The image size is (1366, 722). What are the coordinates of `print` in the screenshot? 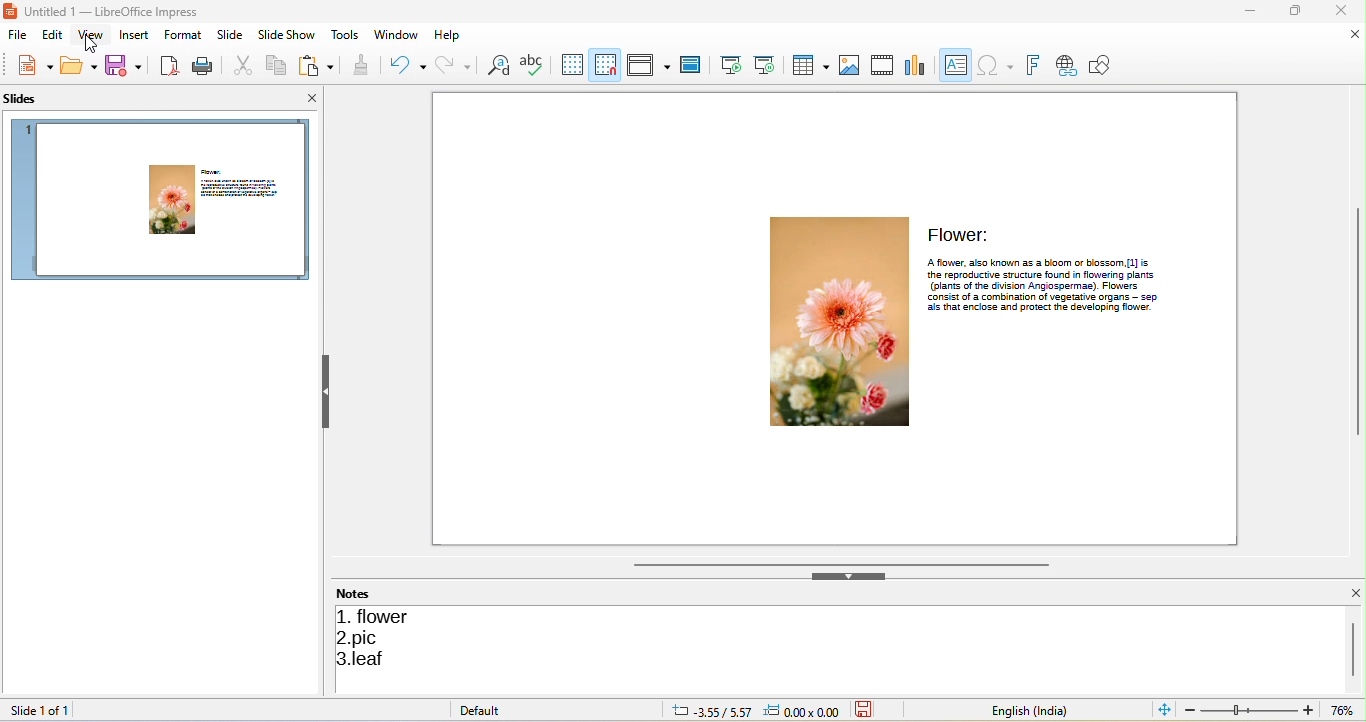 It's located at (204, 64).